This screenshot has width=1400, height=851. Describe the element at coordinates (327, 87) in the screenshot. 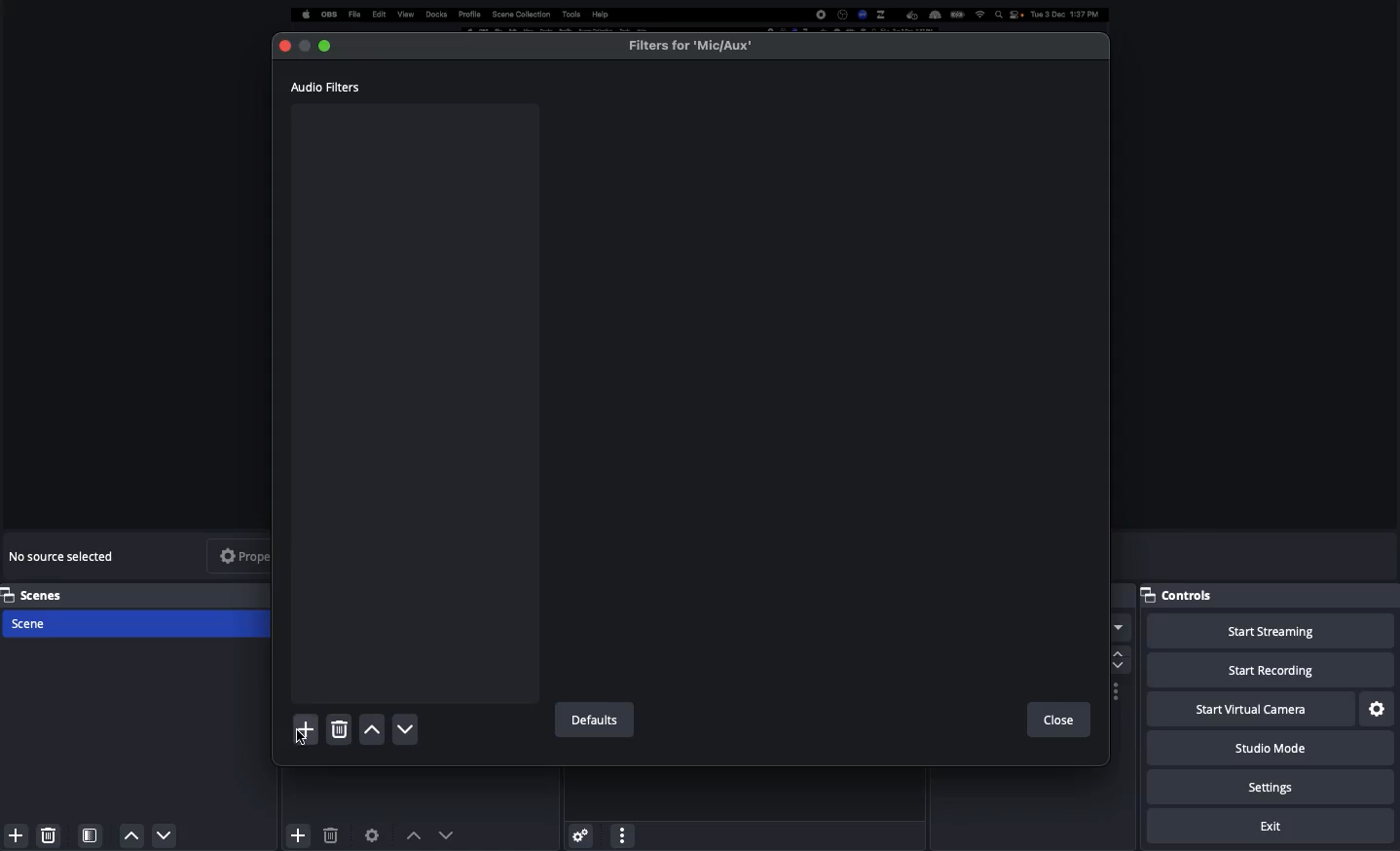

I see `Audio filter` at that location.